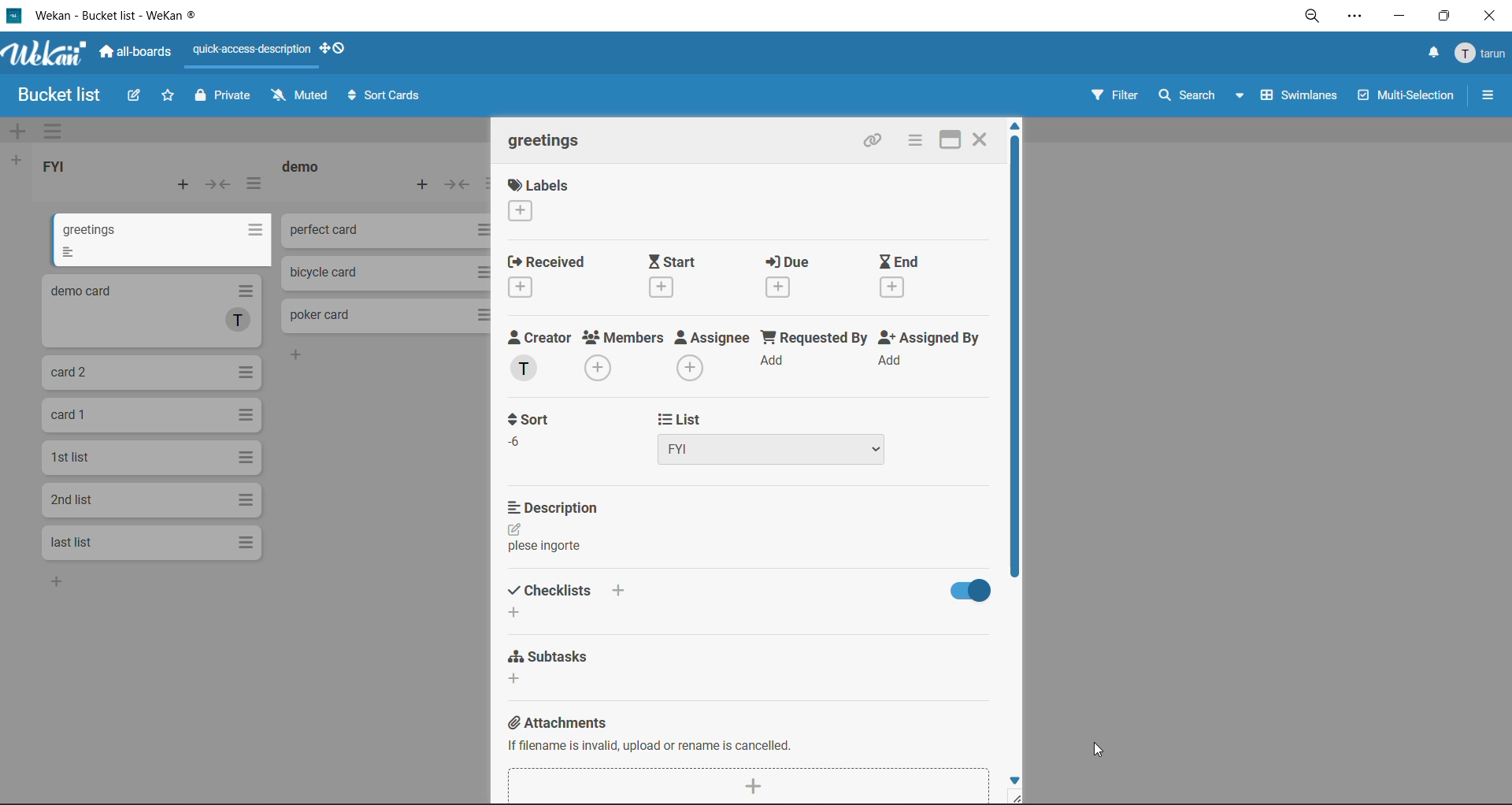 Image resolution: width=1512 pixels, height=805 pixels. What do you see at coordinates (1095, 751) in the screenshot?
I see `cursor` at bounding box center [1095, 751].